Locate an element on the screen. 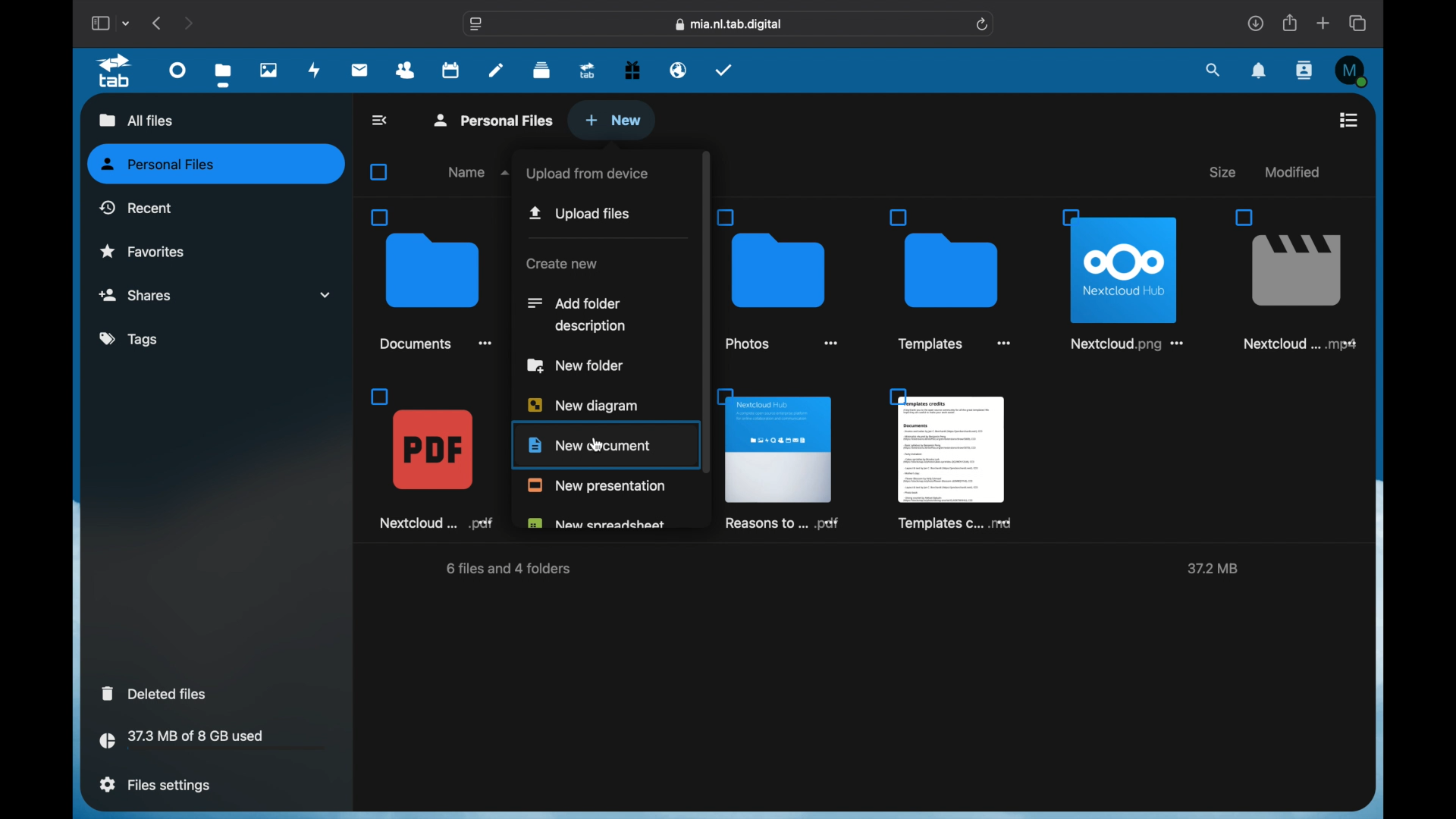 This screenshot has width=1456, height=819. dashboard is located at coordinates (179, 69).